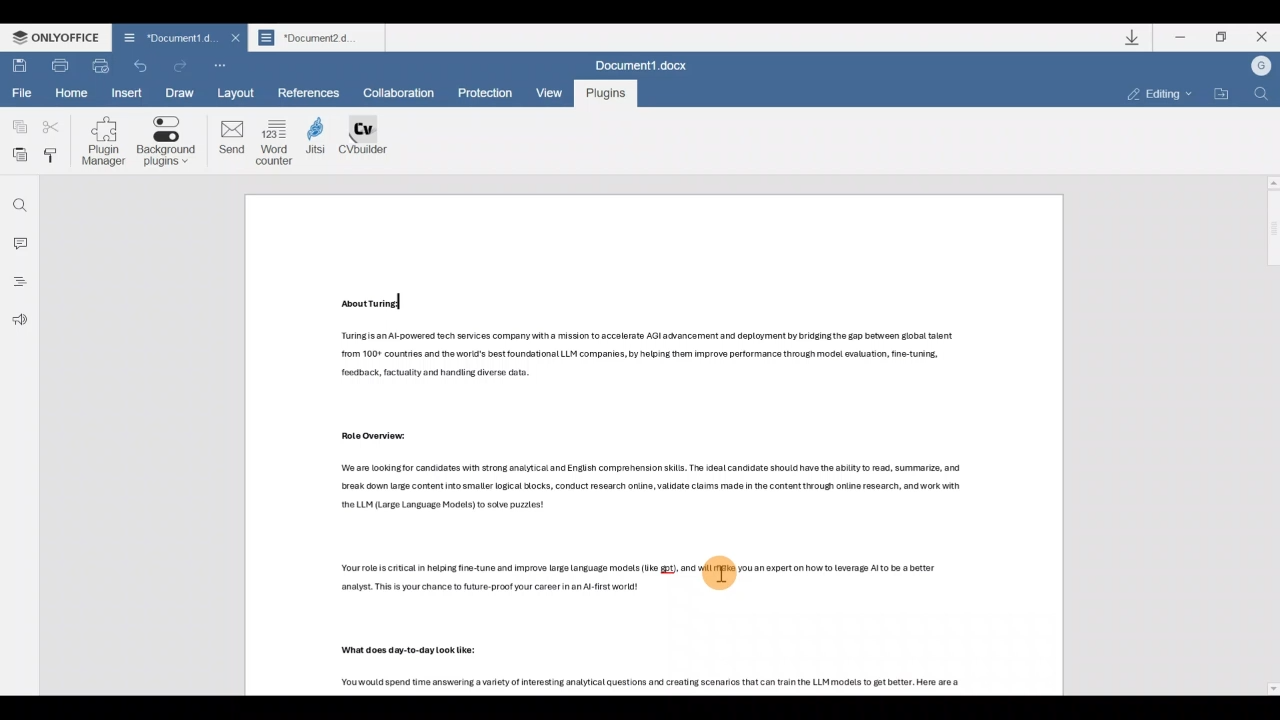 The width and height of the screenshot is (1280, 720). Describe the element at coordinates (646, 64) in the screenshot. I see `Document1.docx` at that location.